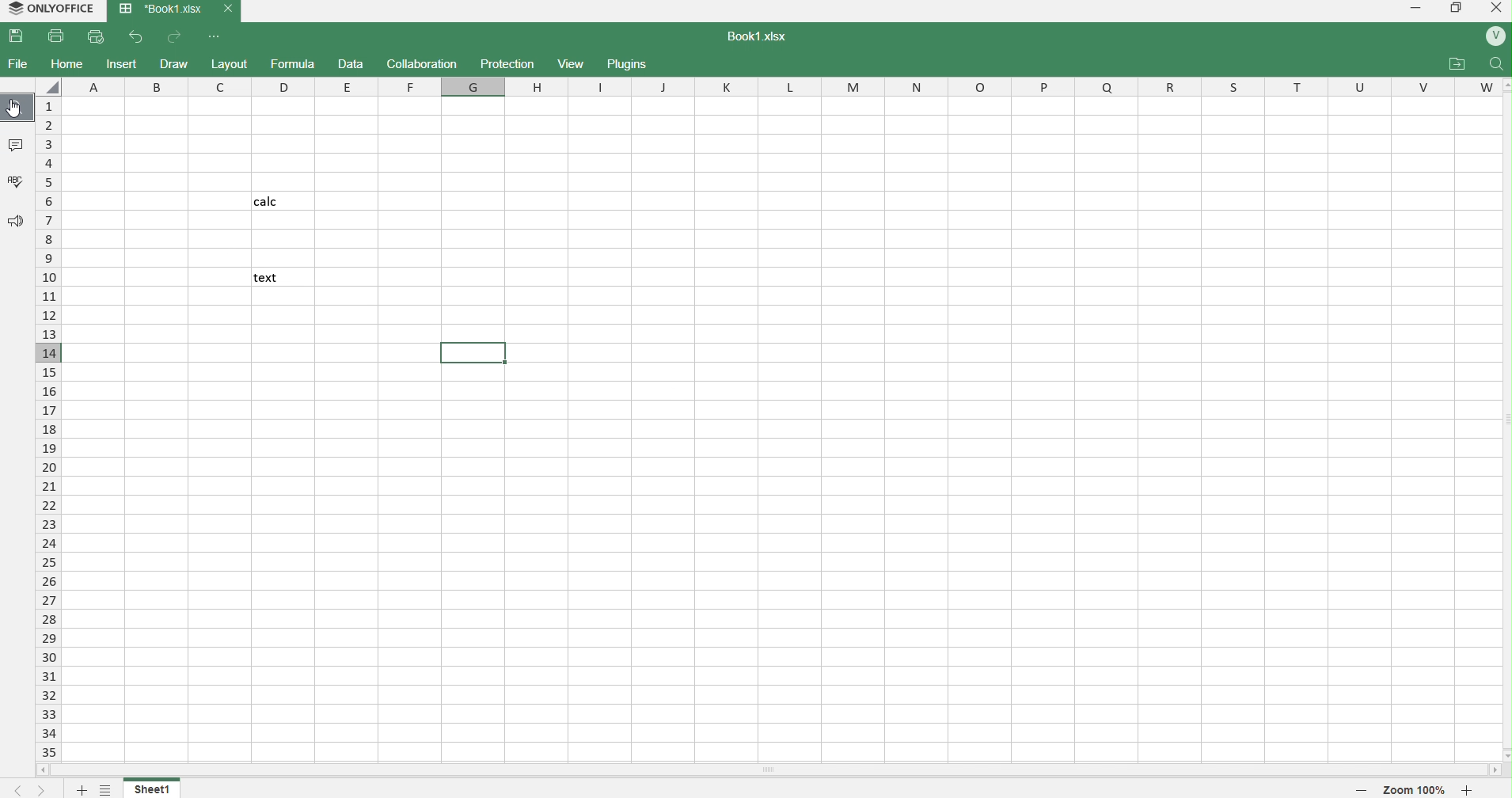 The image size is (1512, 798). What do you see at coordinates (1469, 789) in the screenshot?
I see `zoom in` at bounding box center [1469, 789].